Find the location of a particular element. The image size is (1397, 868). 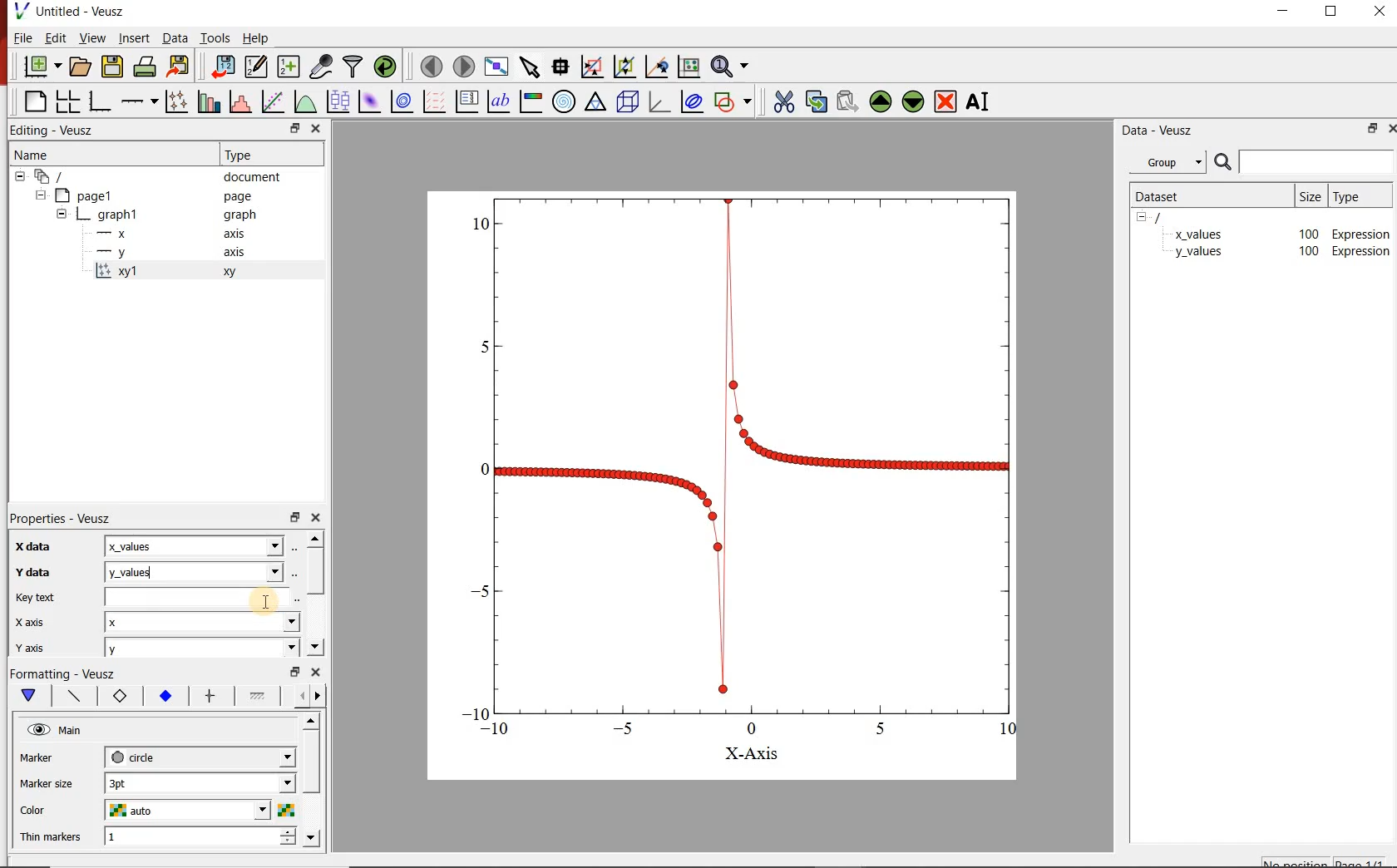

fill 1 is located at coordinates (262, 695).